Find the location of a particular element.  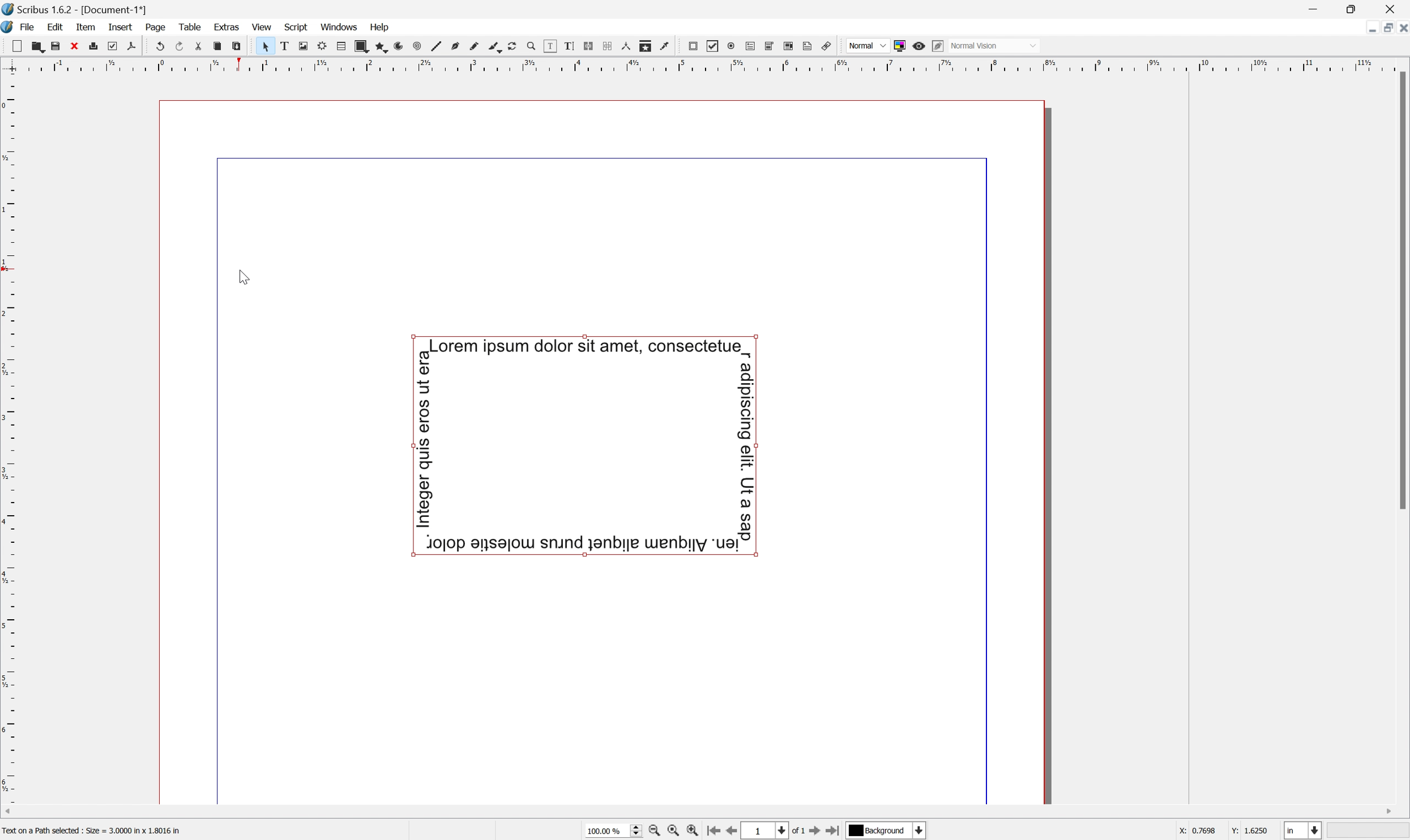

Copy is located at coordinates (218, 46).